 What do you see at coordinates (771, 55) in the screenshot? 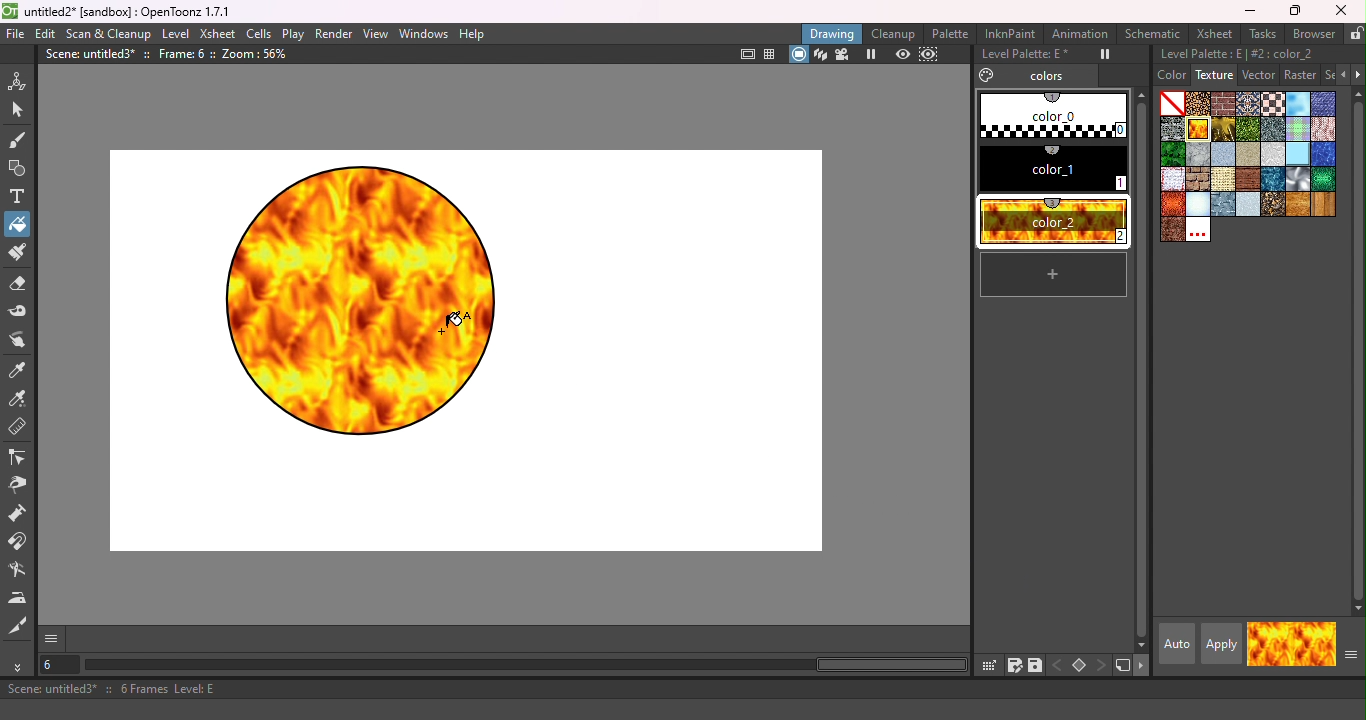
I see `Field guide` at bounding box center [771, 55].